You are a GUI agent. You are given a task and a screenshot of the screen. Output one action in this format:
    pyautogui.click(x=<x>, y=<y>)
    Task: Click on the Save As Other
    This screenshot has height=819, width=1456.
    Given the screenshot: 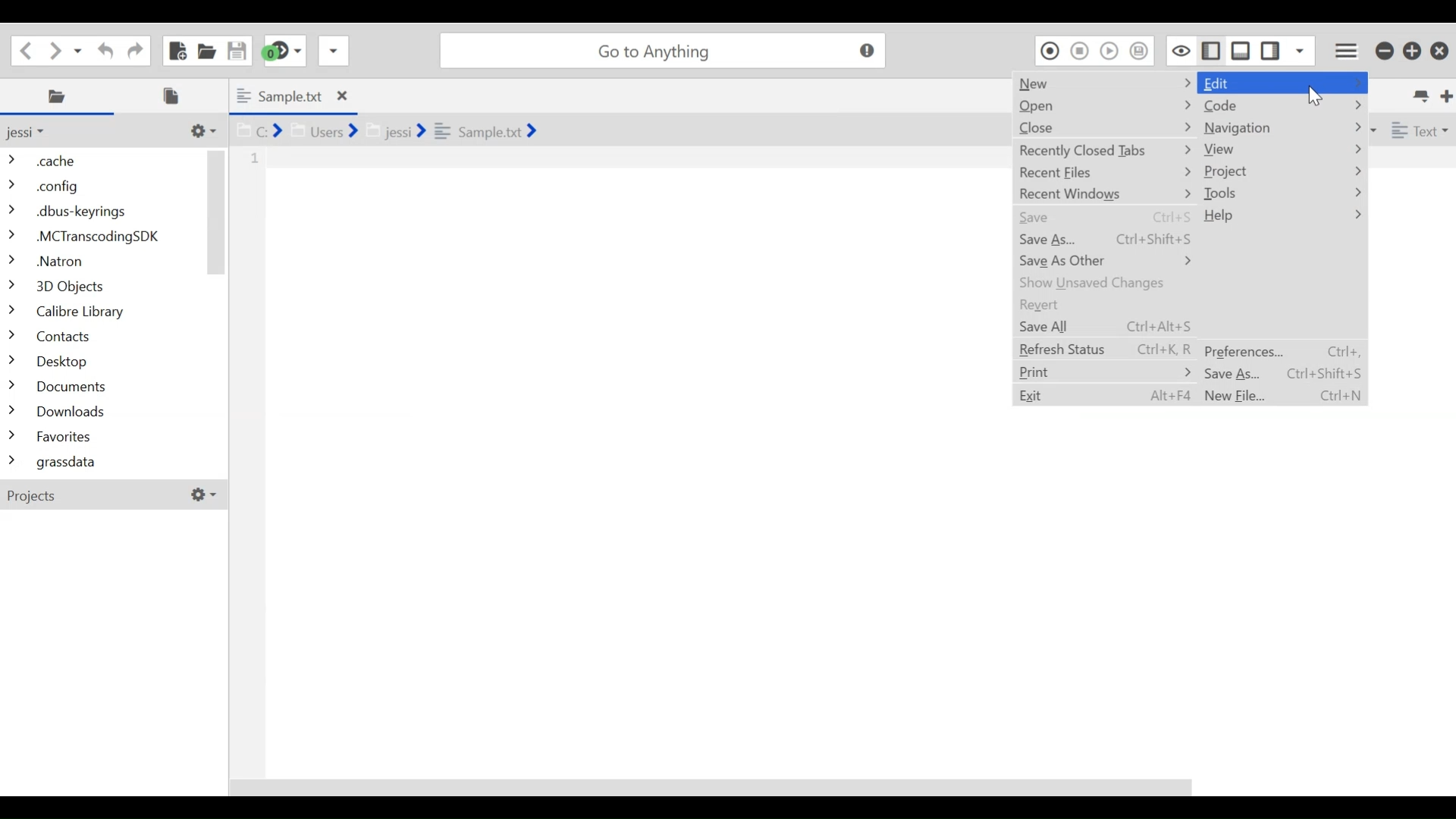 What is the action you would take?
    pyautogui.click(x=1103, y=260)
    